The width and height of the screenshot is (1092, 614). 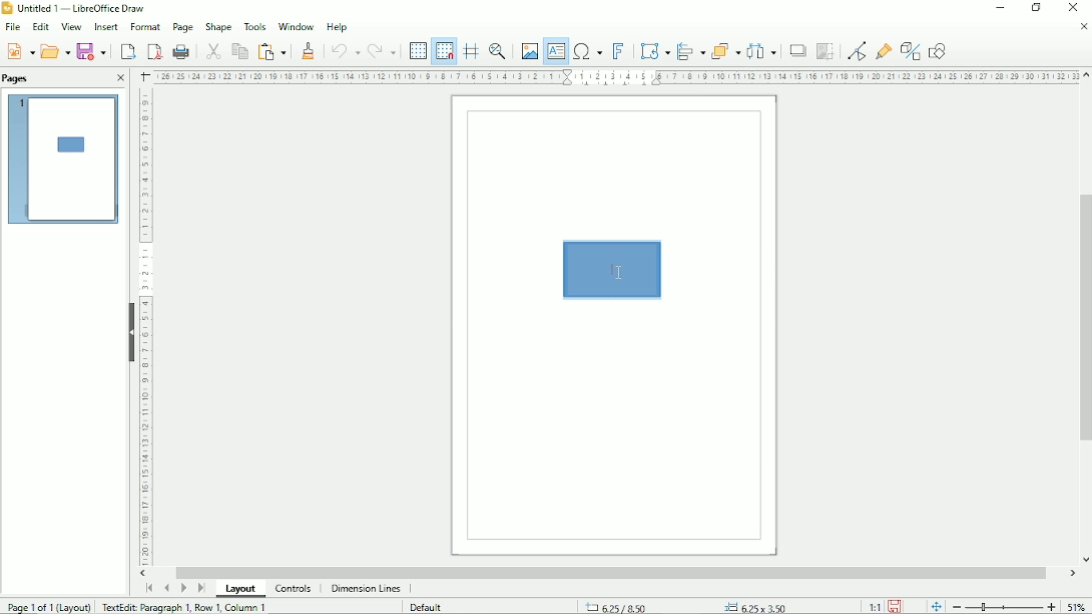 What do you see at coordinates (690, 49) in the screenshot?
I see `Align objects` at bounding box center [690, 49].